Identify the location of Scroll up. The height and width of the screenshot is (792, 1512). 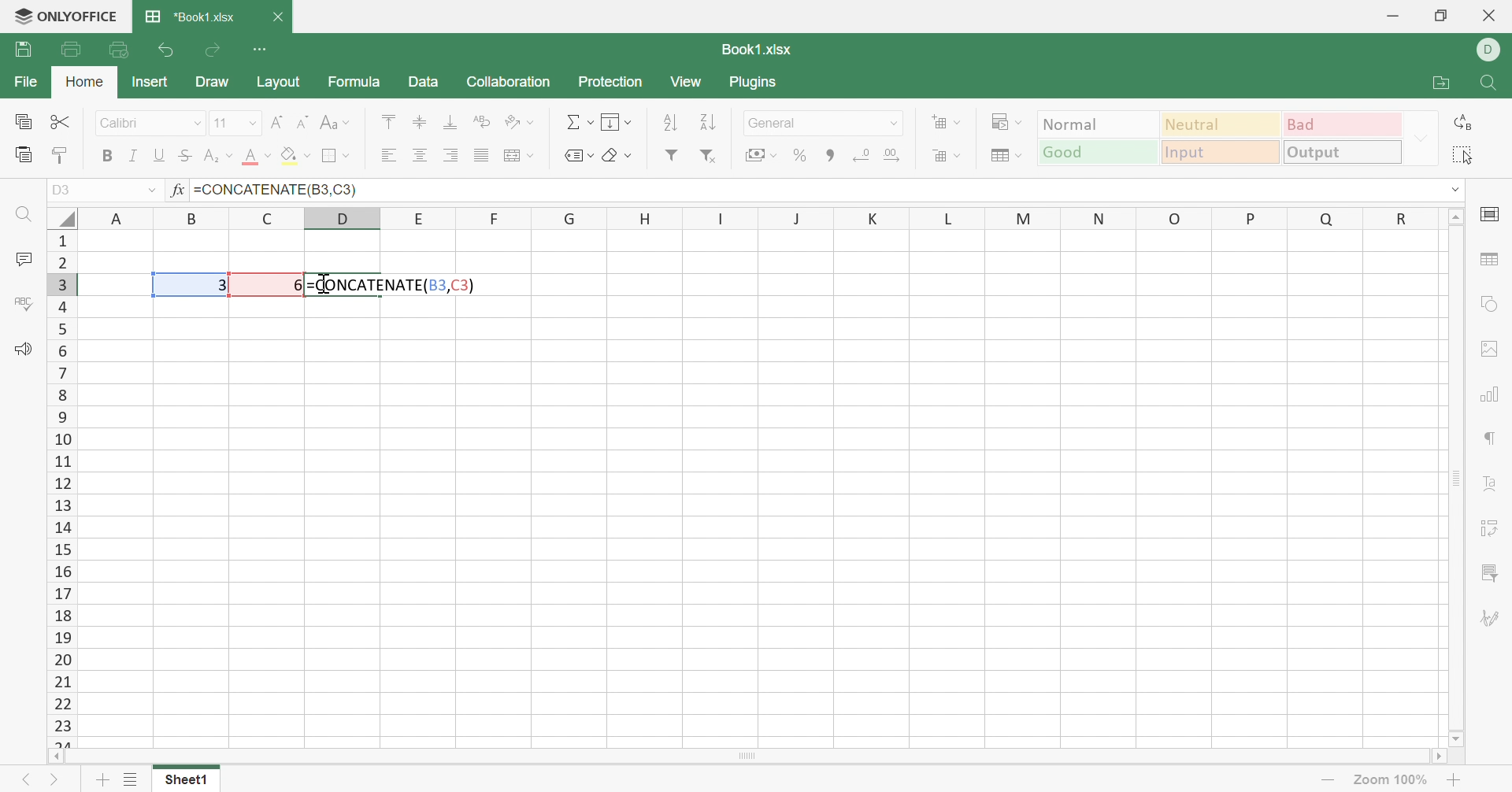
(1460, 215).